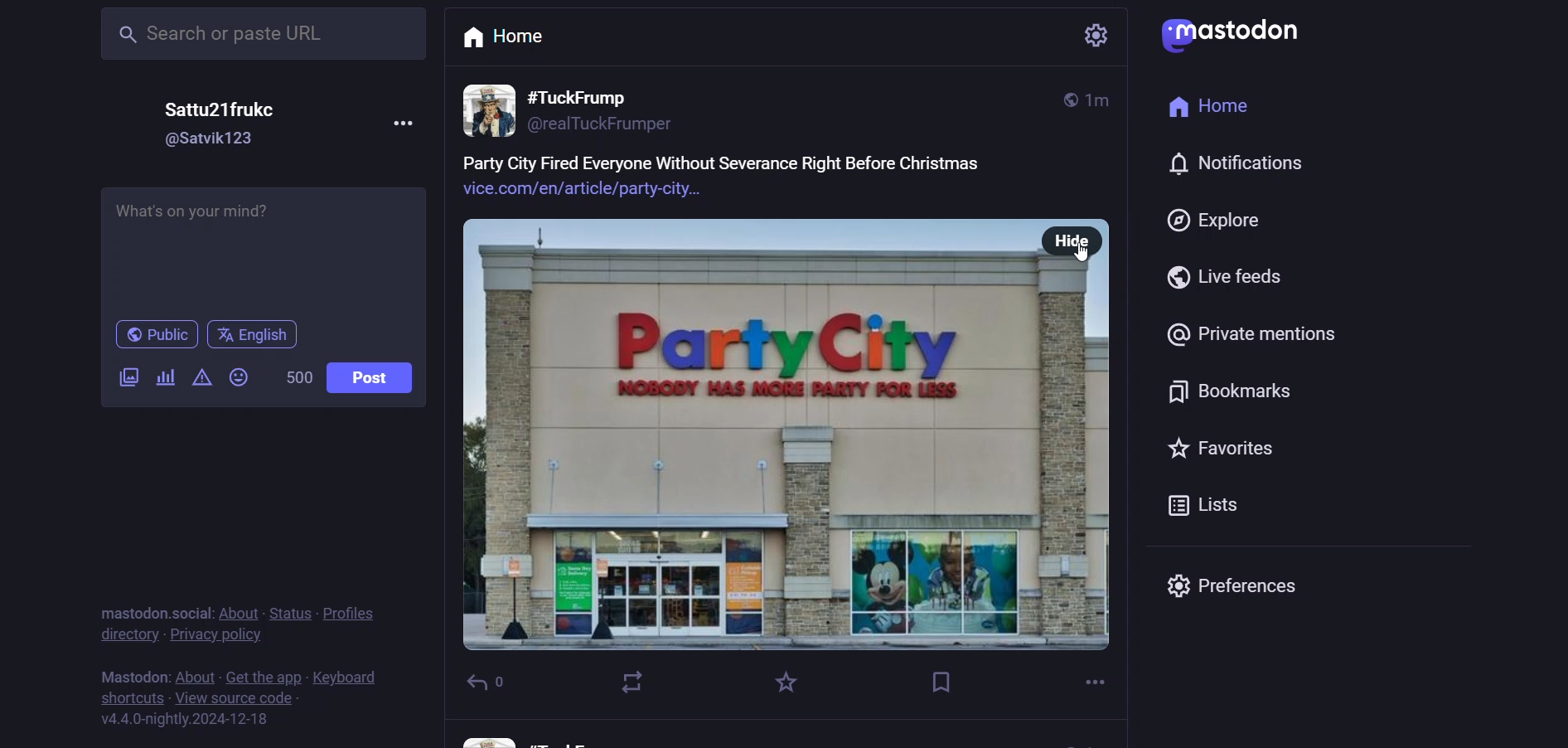  Describe the element at coordinates (158, 334) in the screenshot. I see `Public` at that location.